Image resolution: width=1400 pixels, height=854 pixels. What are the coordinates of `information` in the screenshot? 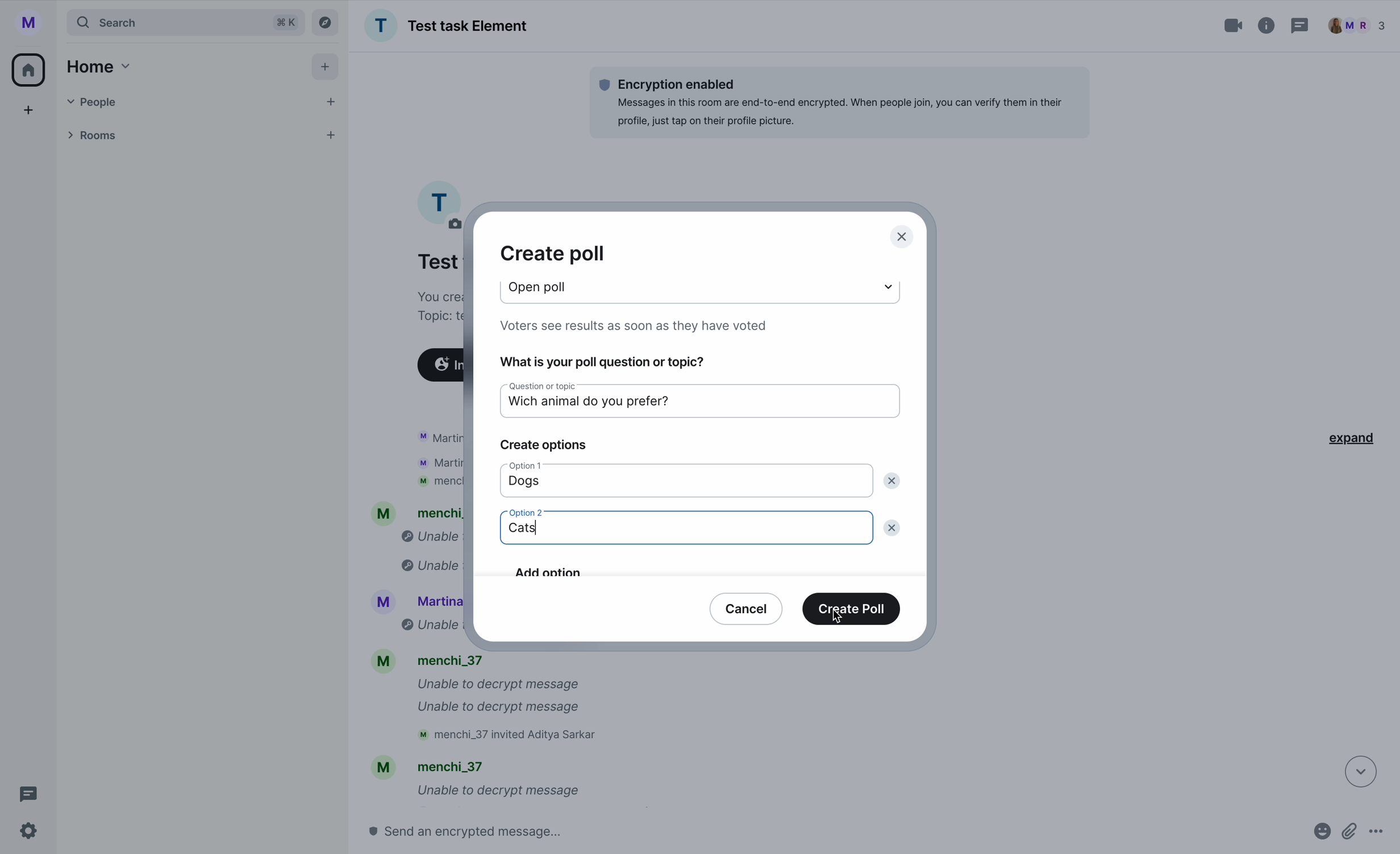 It's located at (1267, 23).